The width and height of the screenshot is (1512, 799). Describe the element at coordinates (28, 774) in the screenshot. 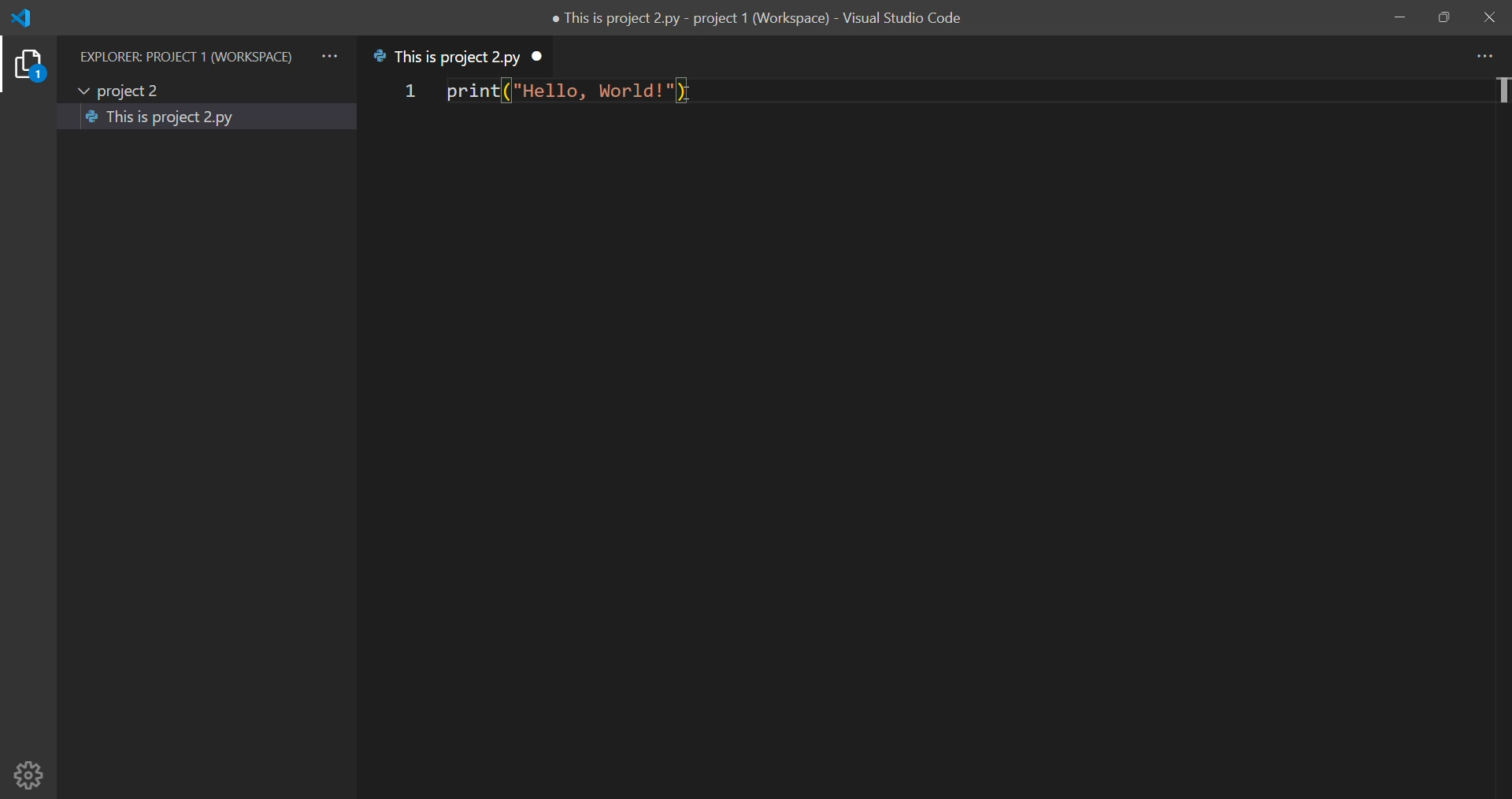

I see `settings` at that location.